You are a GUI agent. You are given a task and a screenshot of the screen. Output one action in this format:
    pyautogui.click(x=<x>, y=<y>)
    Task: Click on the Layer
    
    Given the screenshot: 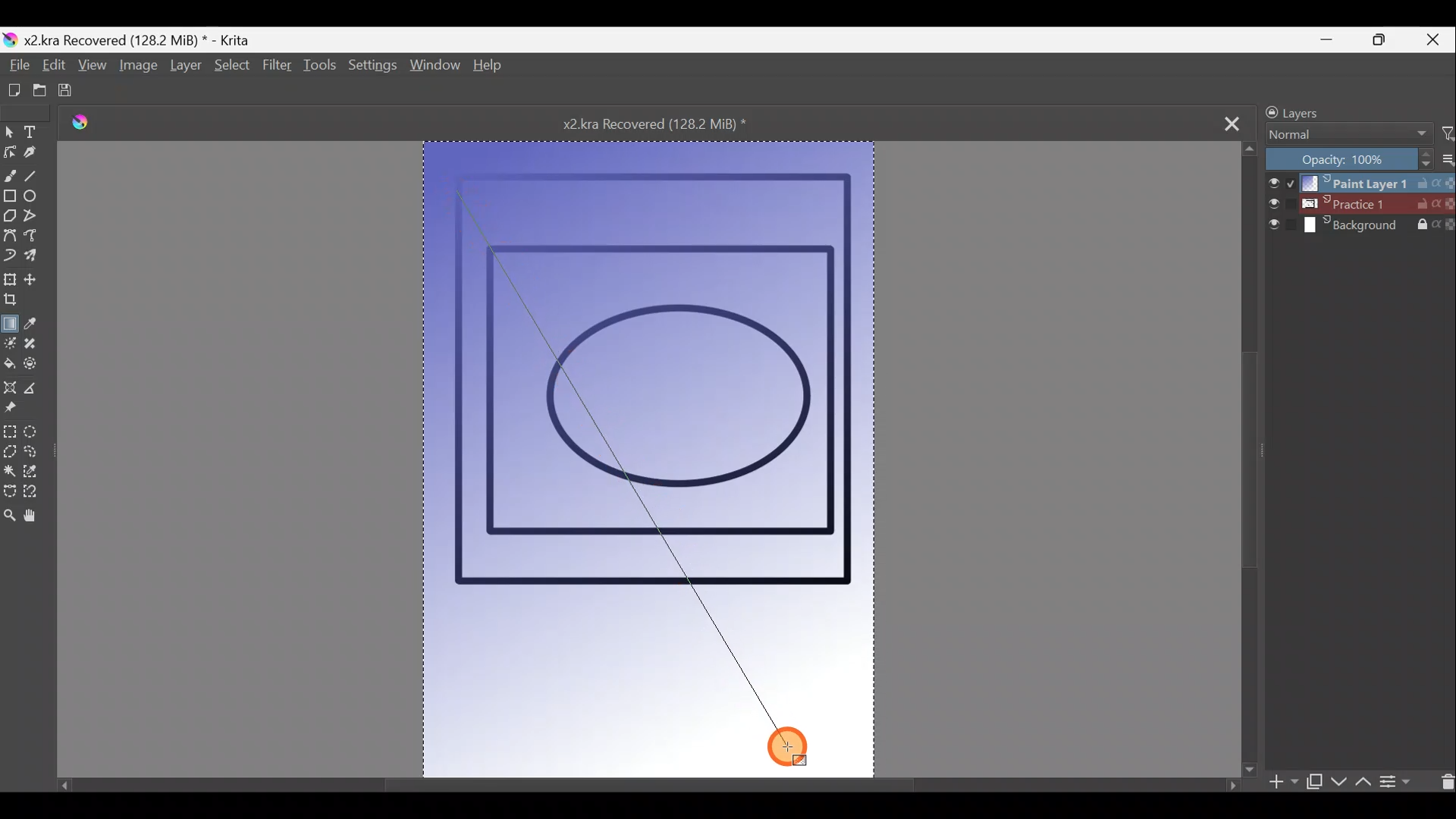 What is the action you would take?
    pyautogui.click(x=185, y=68)
    